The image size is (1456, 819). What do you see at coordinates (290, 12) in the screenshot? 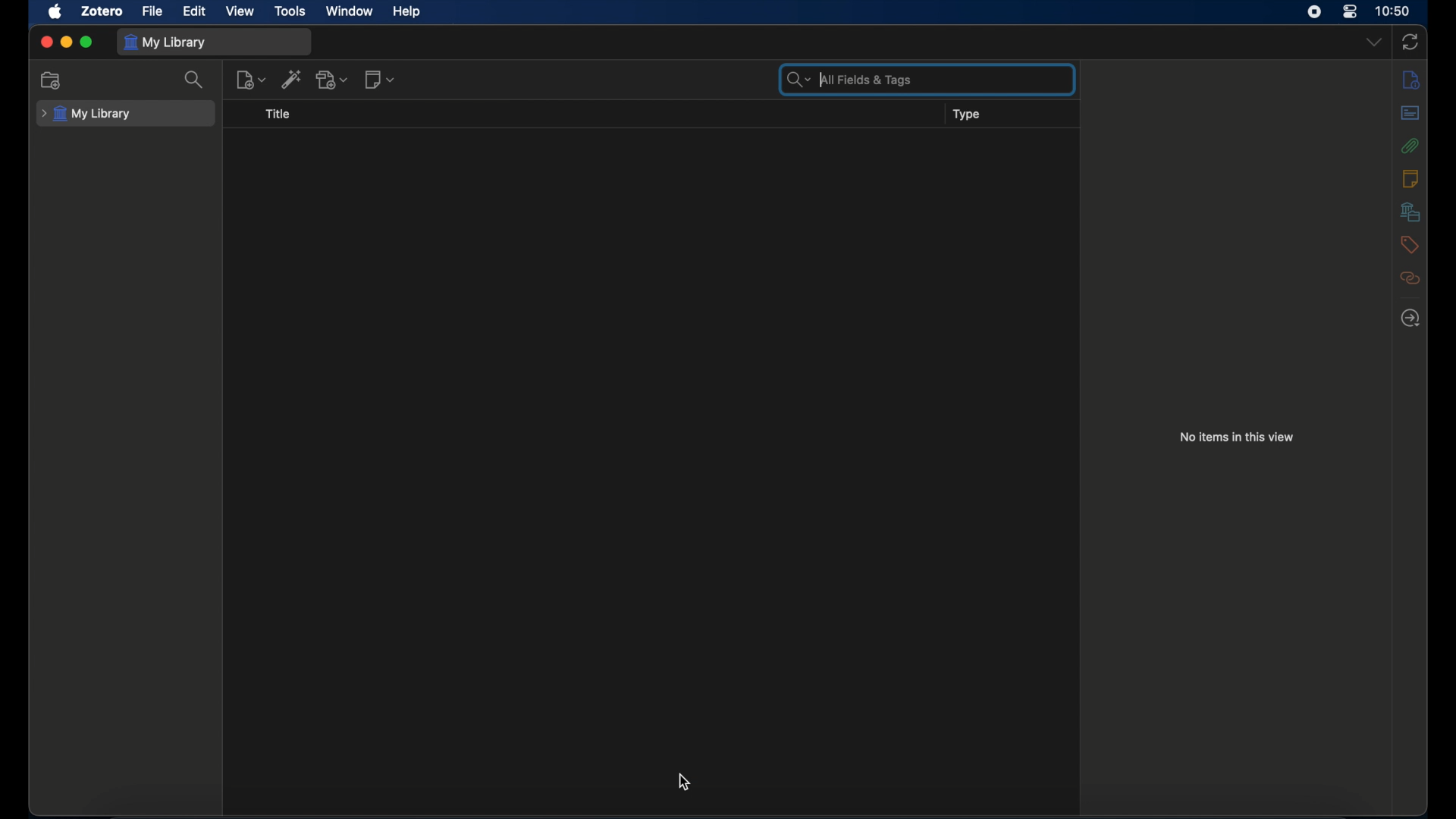
I see `tools` at bounding box center [290, 12].